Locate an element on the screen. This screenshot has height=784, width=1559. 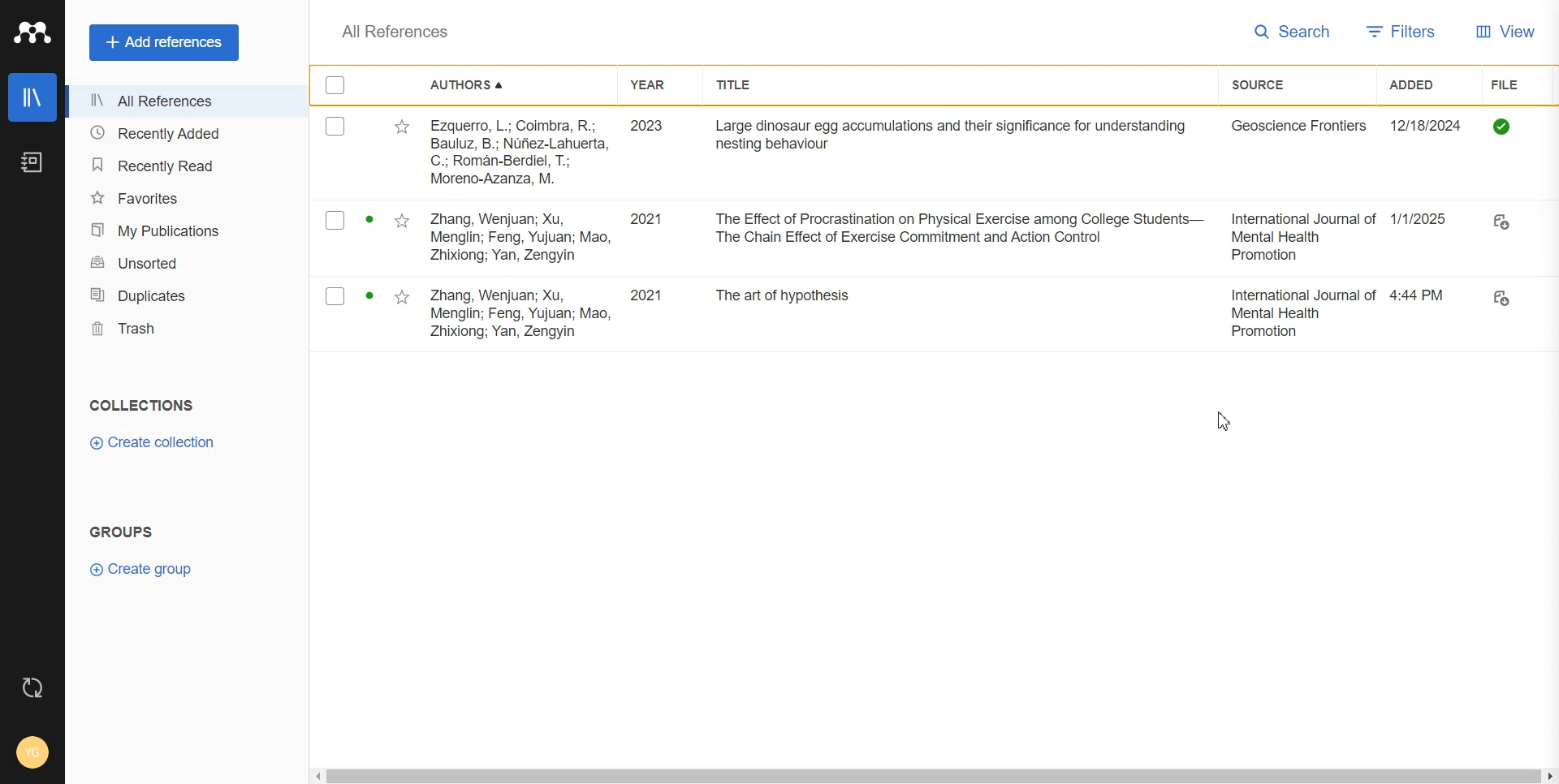
Checkmarks is located at coordinates (335, 297).